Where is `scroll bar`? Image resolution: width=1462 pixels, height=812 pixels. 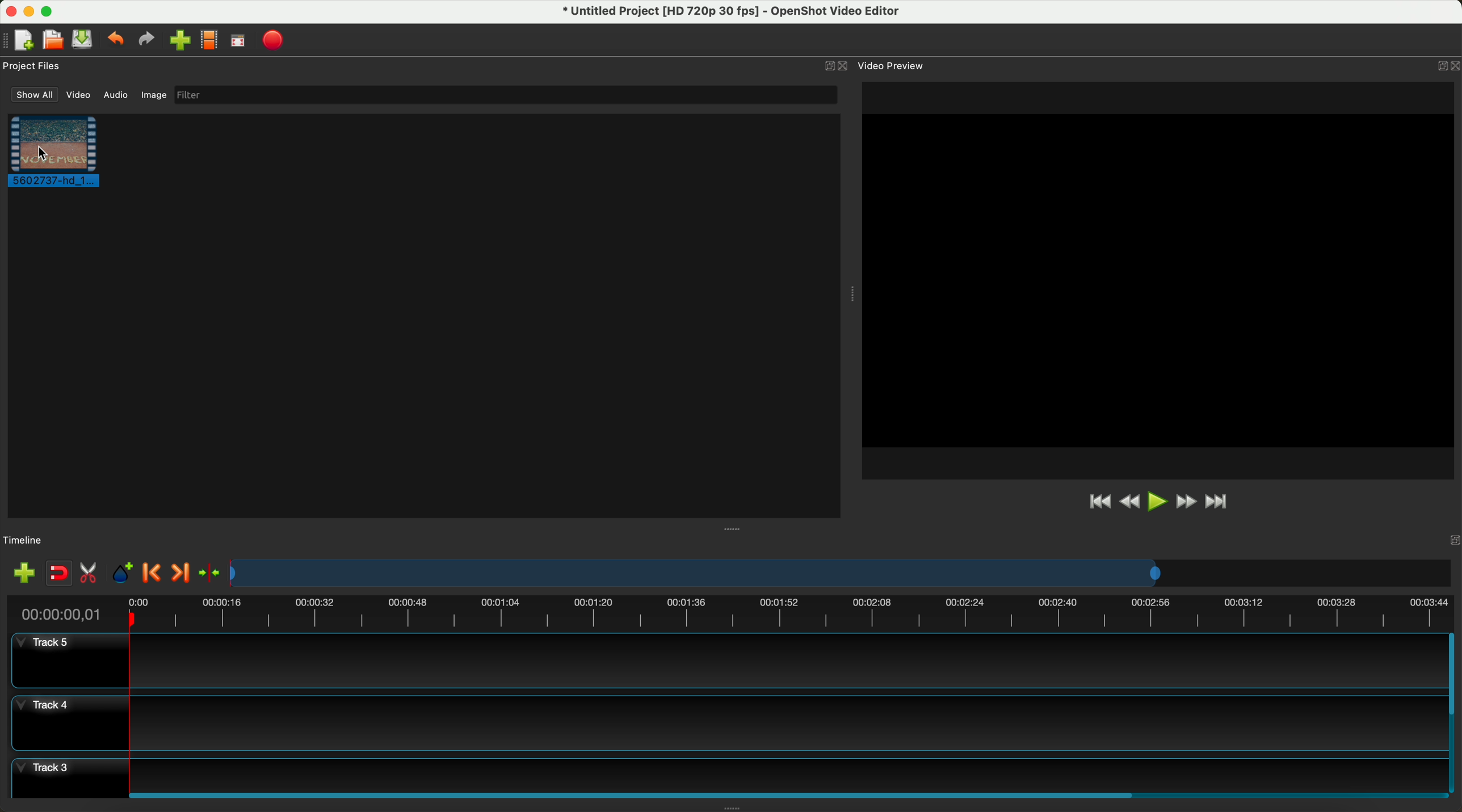 scroll bar is located at coordinates (785, 793).